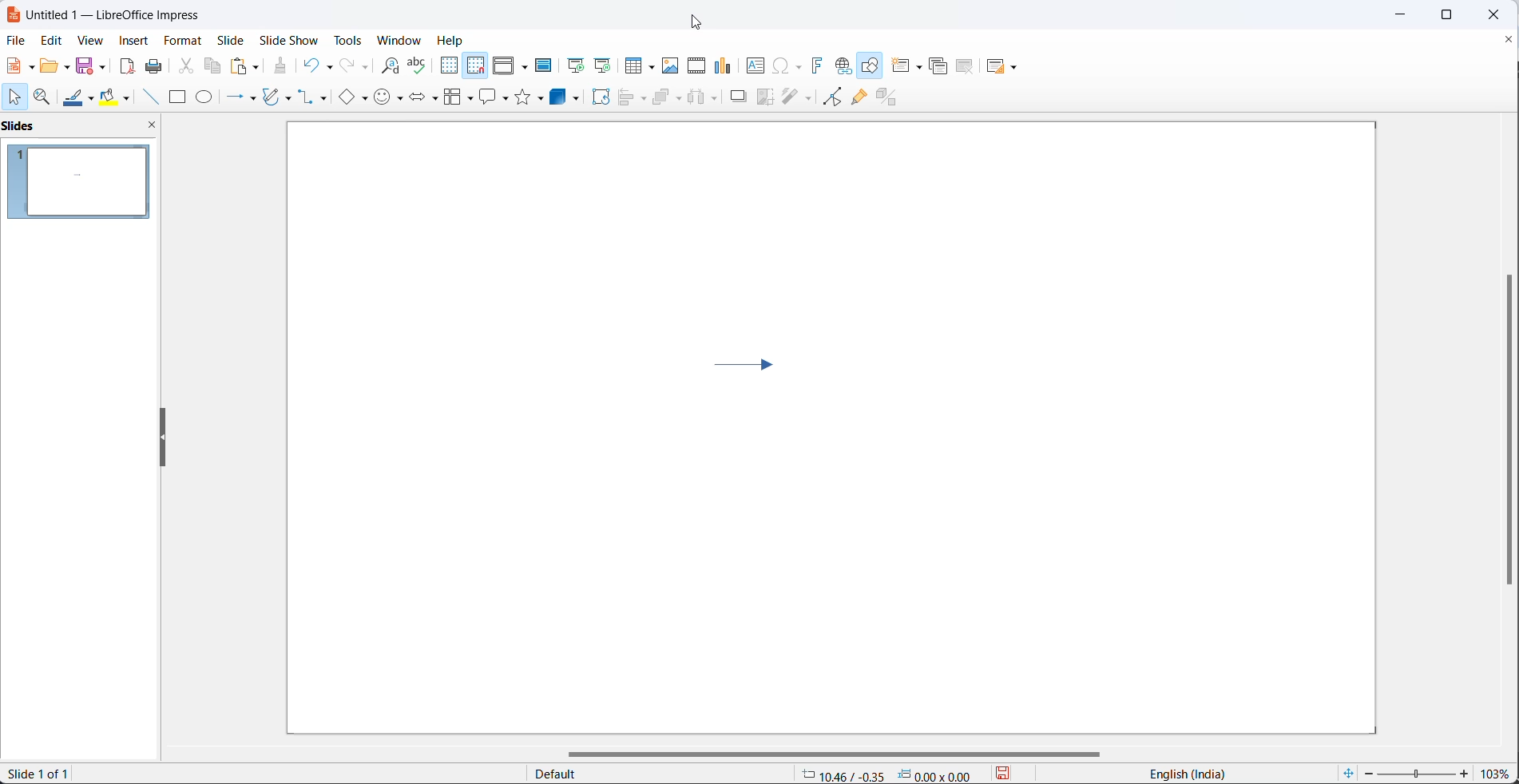 The image size is (1519, 784). What do you see at coordinates (1003, 66) in the screenshot?
I see `slide layout` at bounding box center [1003, 66].